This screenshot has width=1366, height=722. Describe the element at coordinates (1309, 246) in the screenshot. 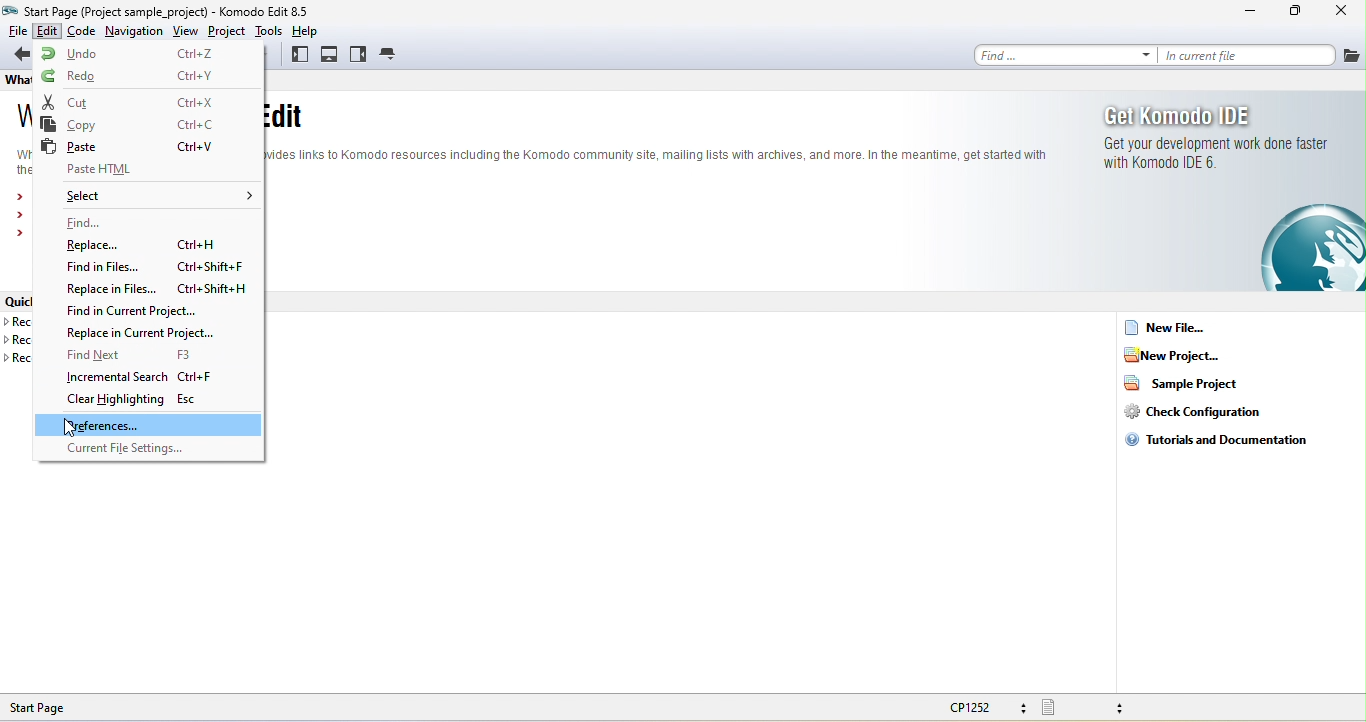

I see `komodo edit logo` at that location.